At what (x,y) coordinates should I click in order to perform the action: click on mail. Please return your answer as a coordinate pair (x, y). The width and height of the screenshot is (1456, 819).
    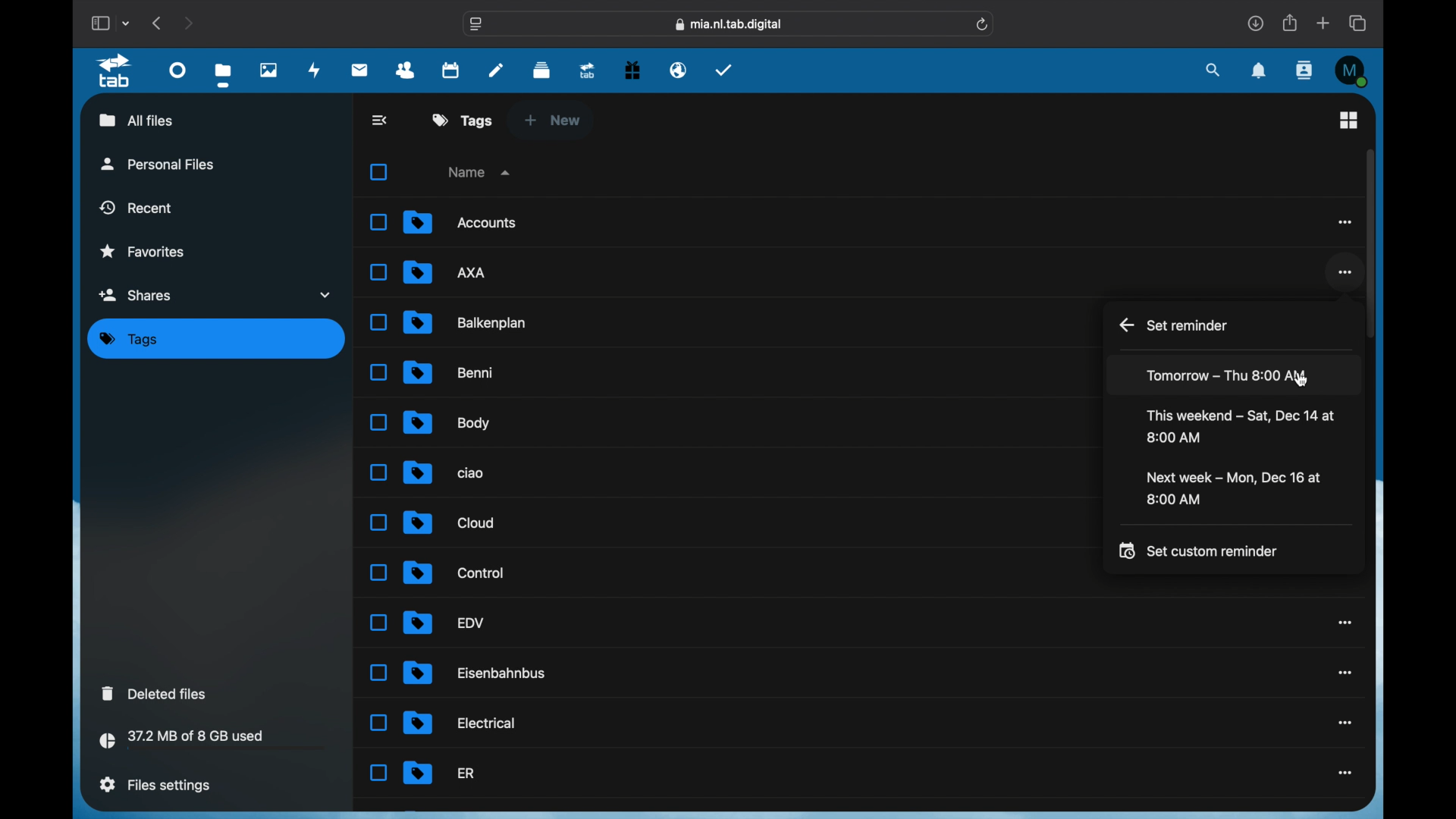
    Looking at the image, I should click on (360, 69).